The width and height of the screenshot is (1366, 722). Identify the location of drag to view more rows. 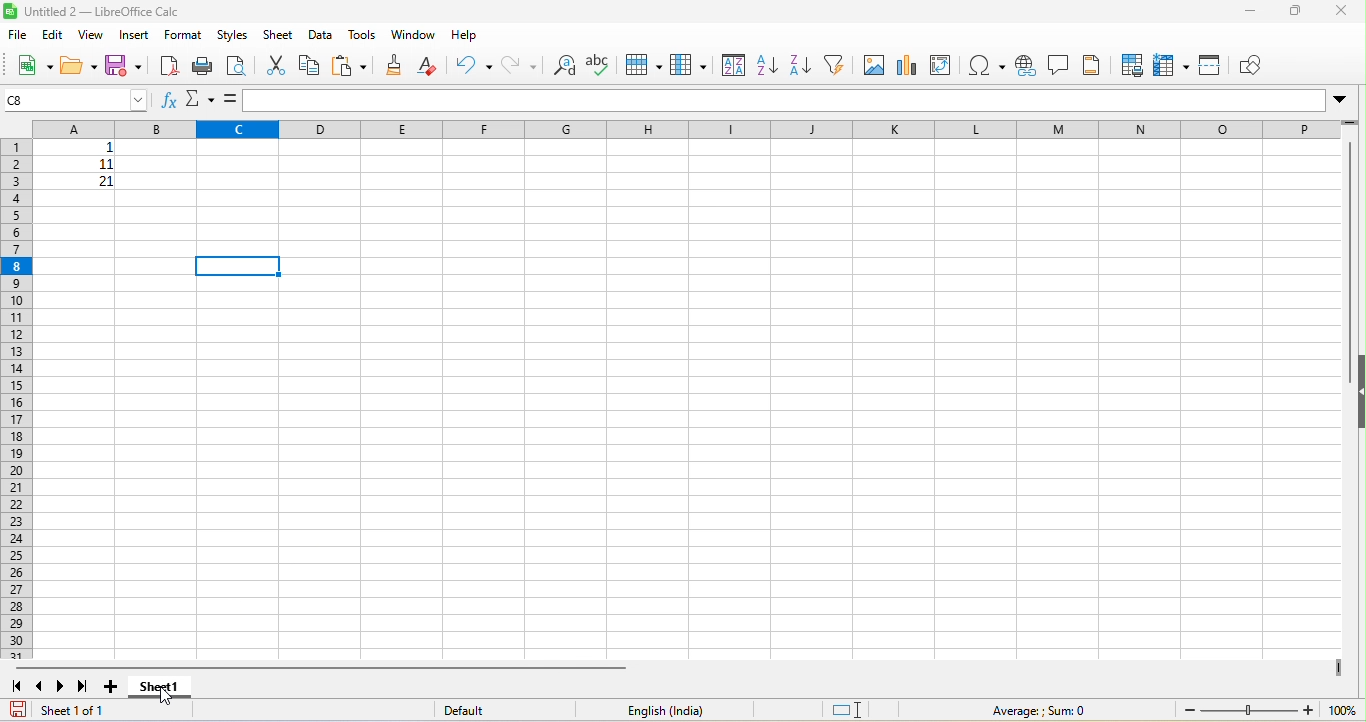
(1351, 125).